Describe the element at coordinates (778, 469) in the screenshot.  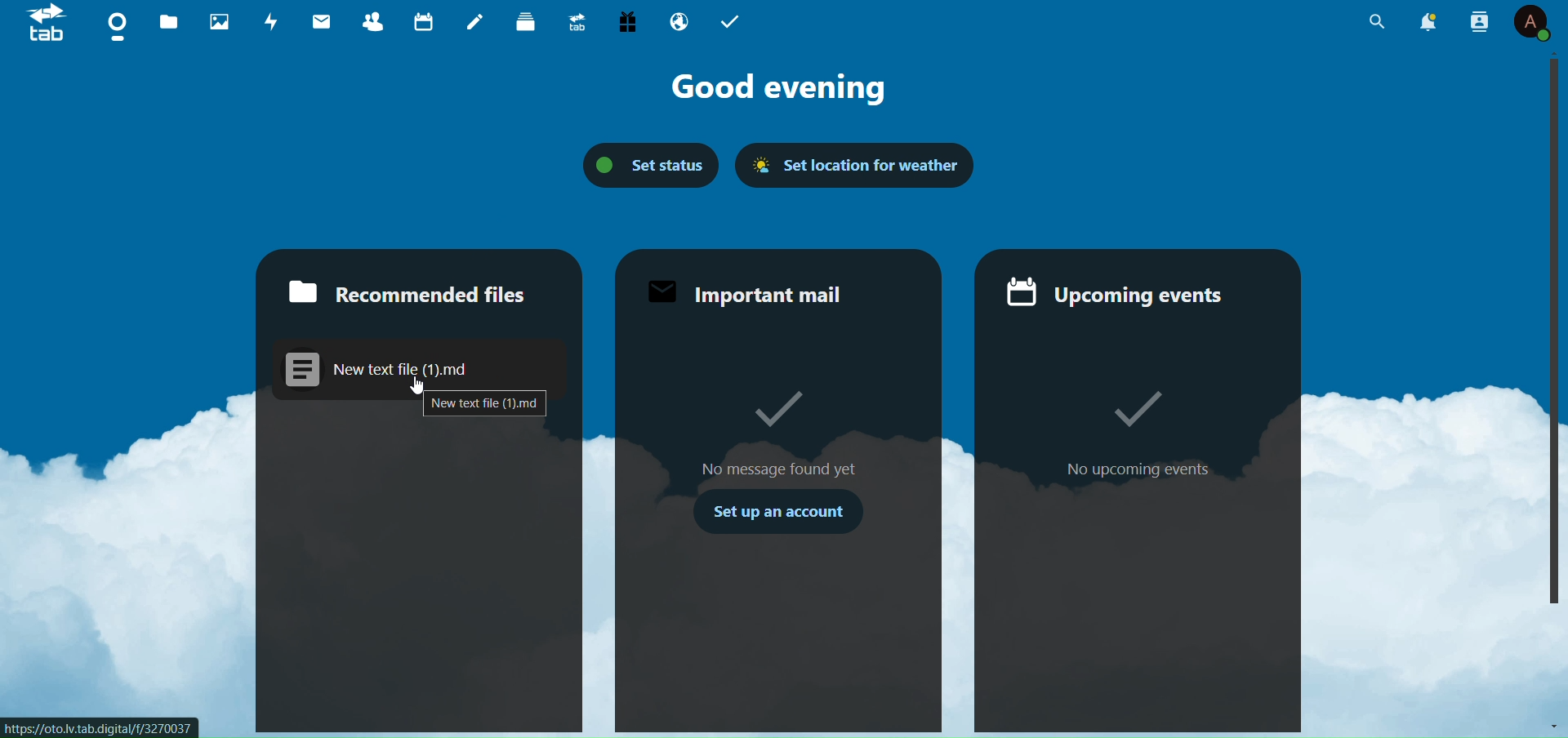
I see `text` at that location.